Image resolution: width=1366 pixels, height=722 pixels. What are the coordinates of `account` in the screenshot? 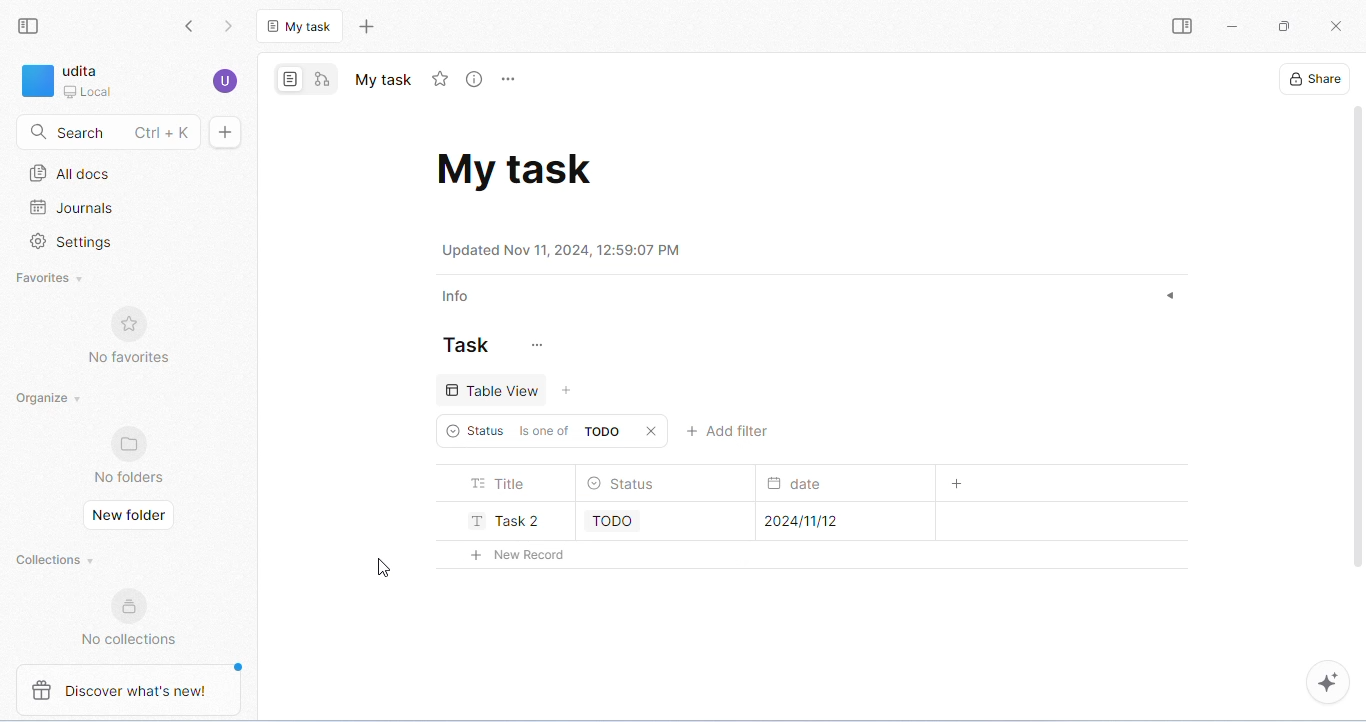 It's located at (225, 81).